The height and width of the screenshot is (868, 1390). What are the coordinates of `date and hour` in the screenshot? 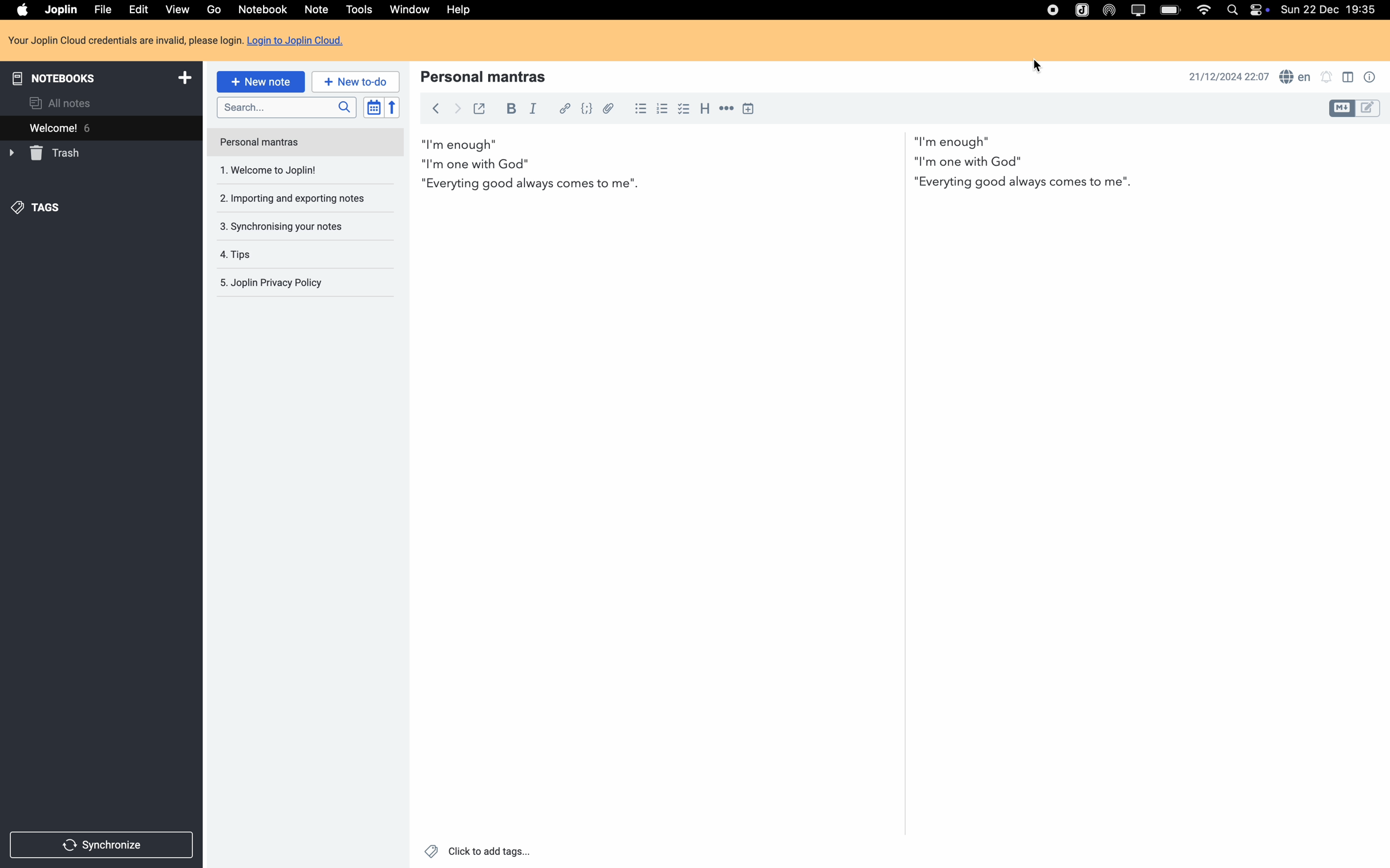 It's located at (1226, 77).